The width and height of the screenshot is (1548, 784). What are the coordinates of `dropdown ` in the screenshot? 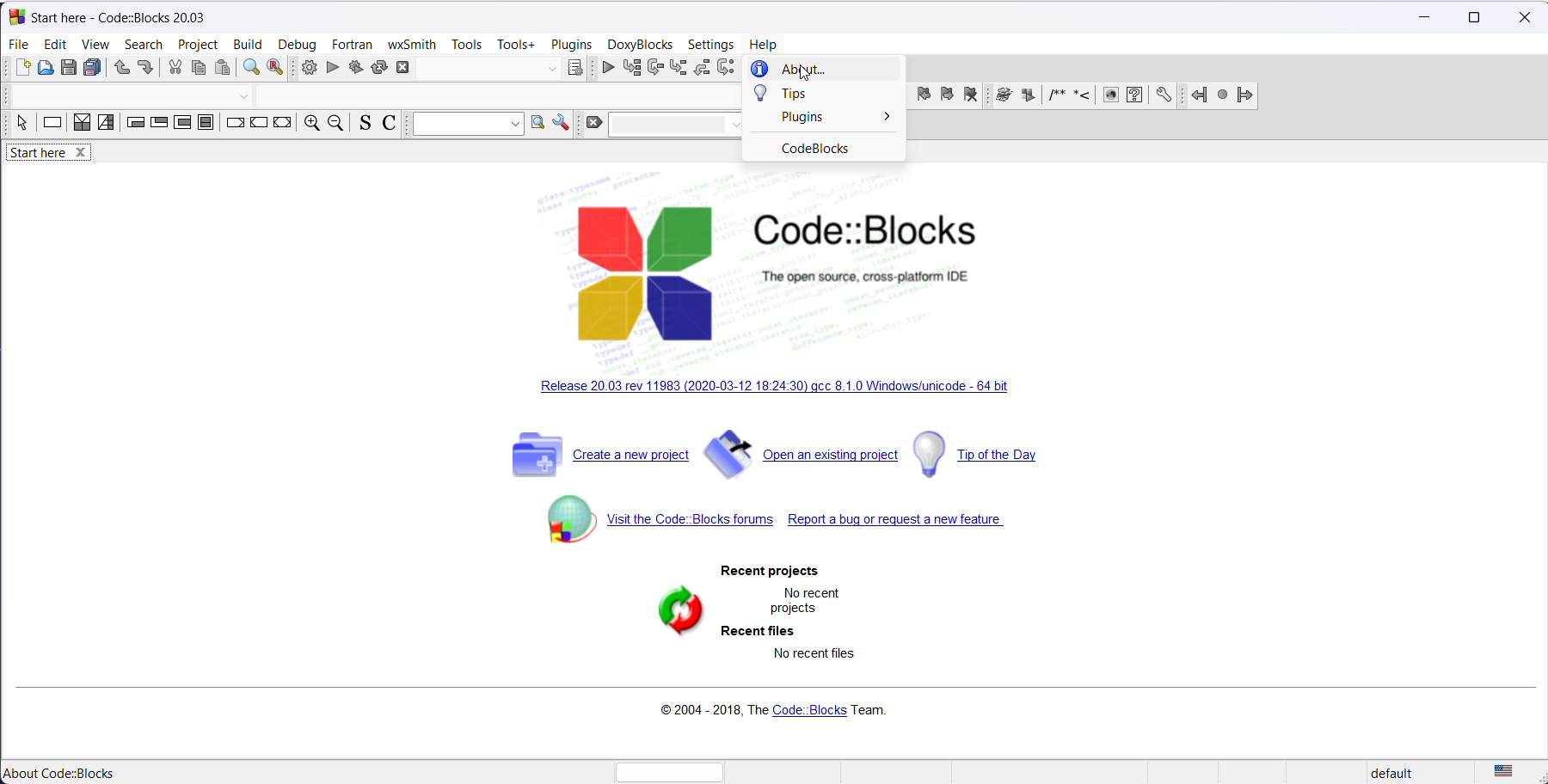 It's located at (552, 68).